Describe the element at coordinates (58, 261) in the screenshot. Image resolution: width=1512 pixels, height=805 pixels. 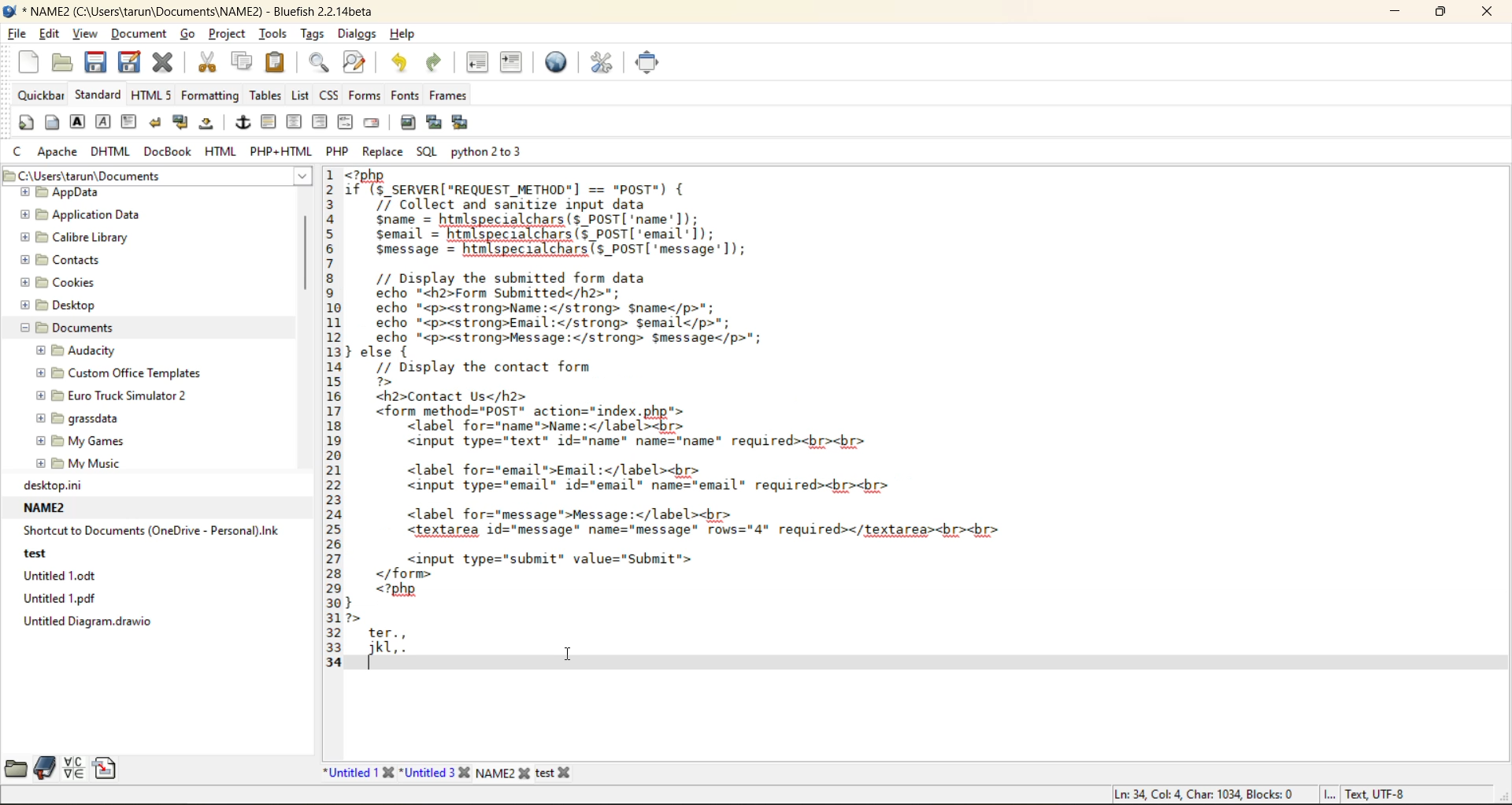
I see `Contacts` at that location.